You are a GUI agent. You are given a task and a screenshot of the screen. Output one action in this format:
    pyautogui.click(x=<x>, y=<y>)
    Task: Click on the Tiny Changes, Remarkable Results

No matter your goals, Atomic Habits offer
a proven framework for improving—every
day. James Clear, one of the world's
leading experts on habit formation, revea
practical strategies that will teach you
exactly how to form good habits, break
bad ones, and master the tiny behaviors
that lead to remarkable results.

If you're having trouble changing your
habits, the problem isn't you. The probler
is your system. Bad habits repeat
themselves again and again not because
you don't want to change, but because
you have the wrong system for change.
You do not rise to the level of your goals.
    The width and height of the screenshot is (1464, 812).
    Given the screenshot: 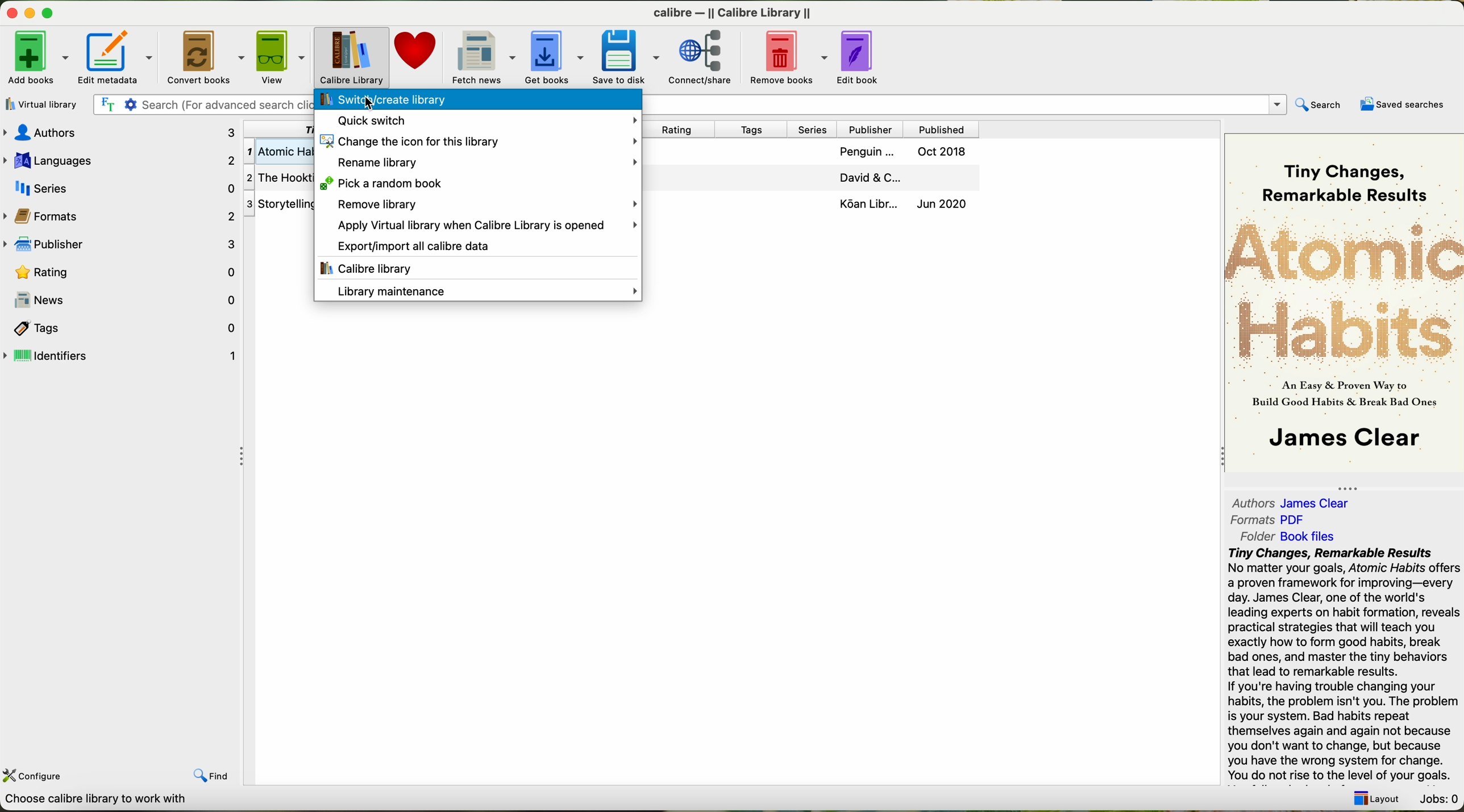 What is the action you would take?
    pyautogui.click(x=1342, y=665)
    